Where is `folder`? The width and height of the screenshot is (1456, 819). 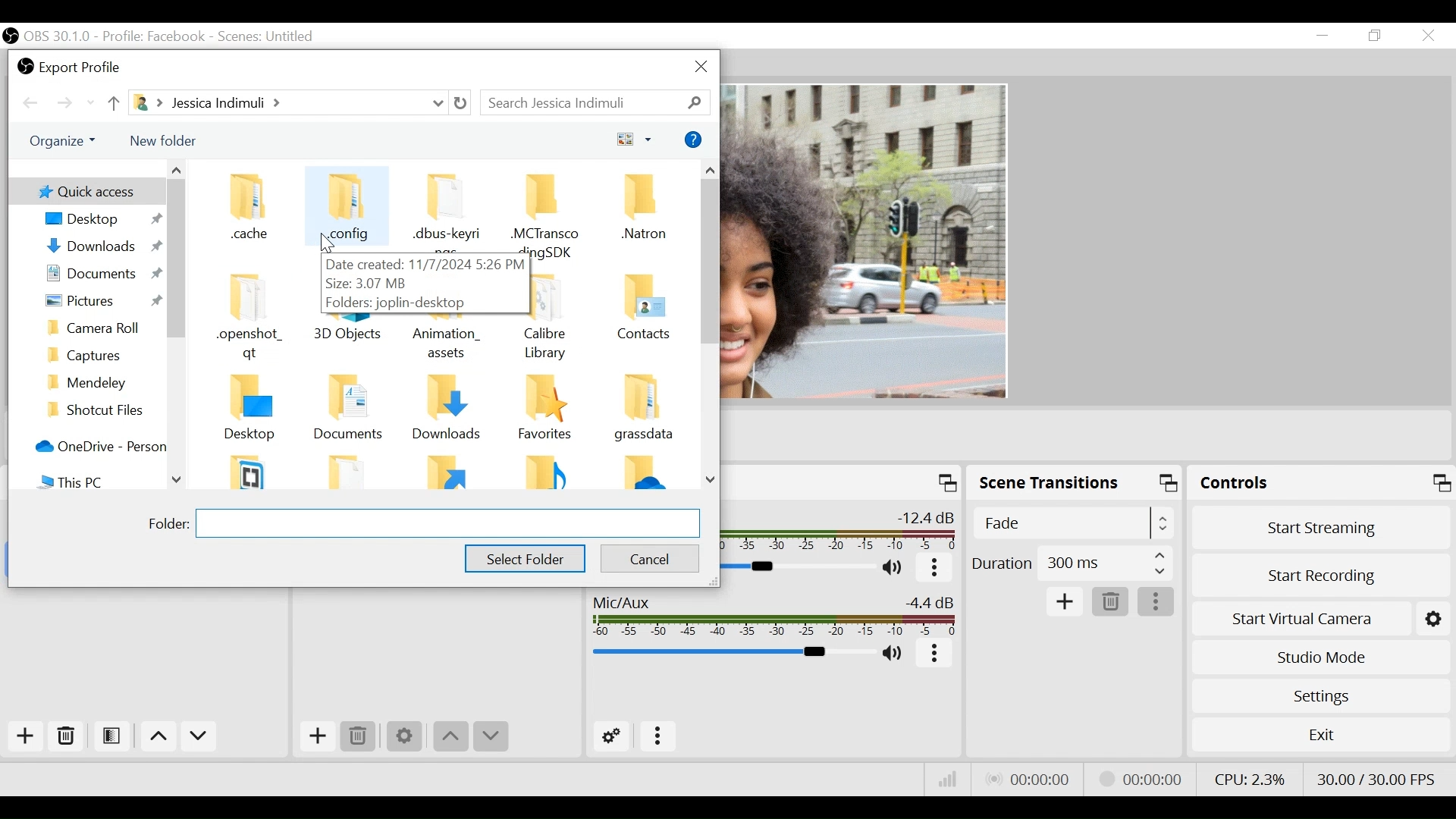 folder is located at coordinates (164, 522).